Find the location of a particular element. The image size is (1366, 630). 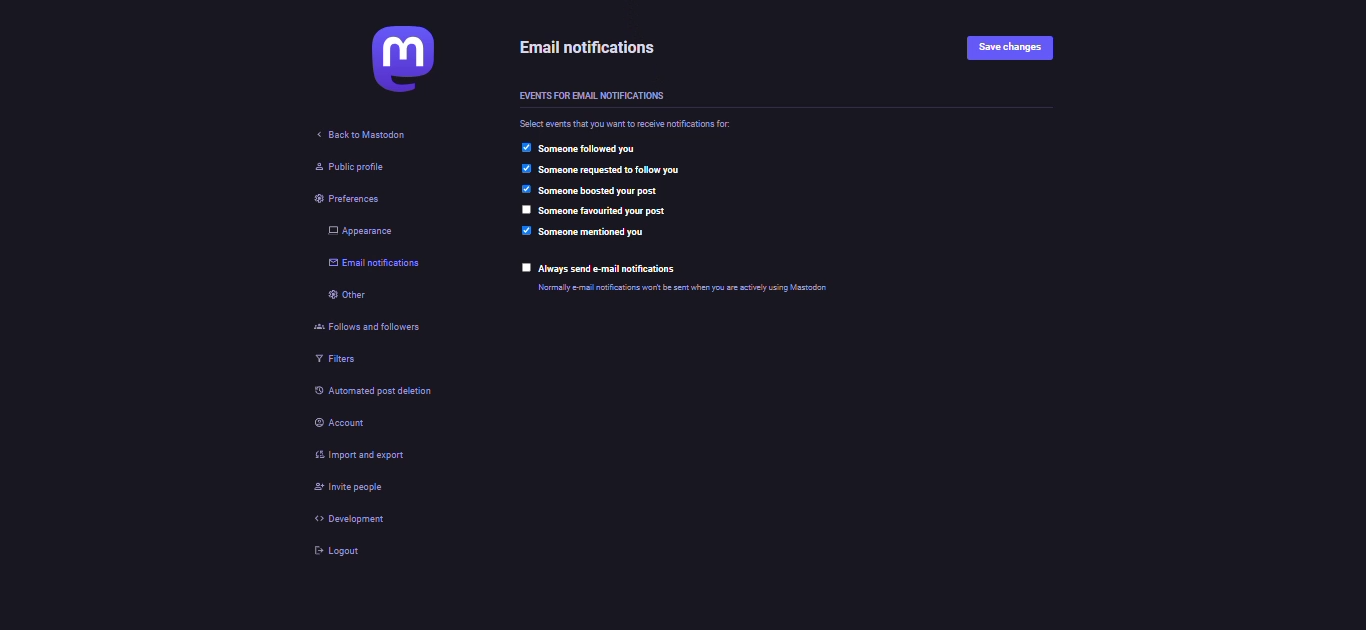

invite people is located at coordinates (342, 486).